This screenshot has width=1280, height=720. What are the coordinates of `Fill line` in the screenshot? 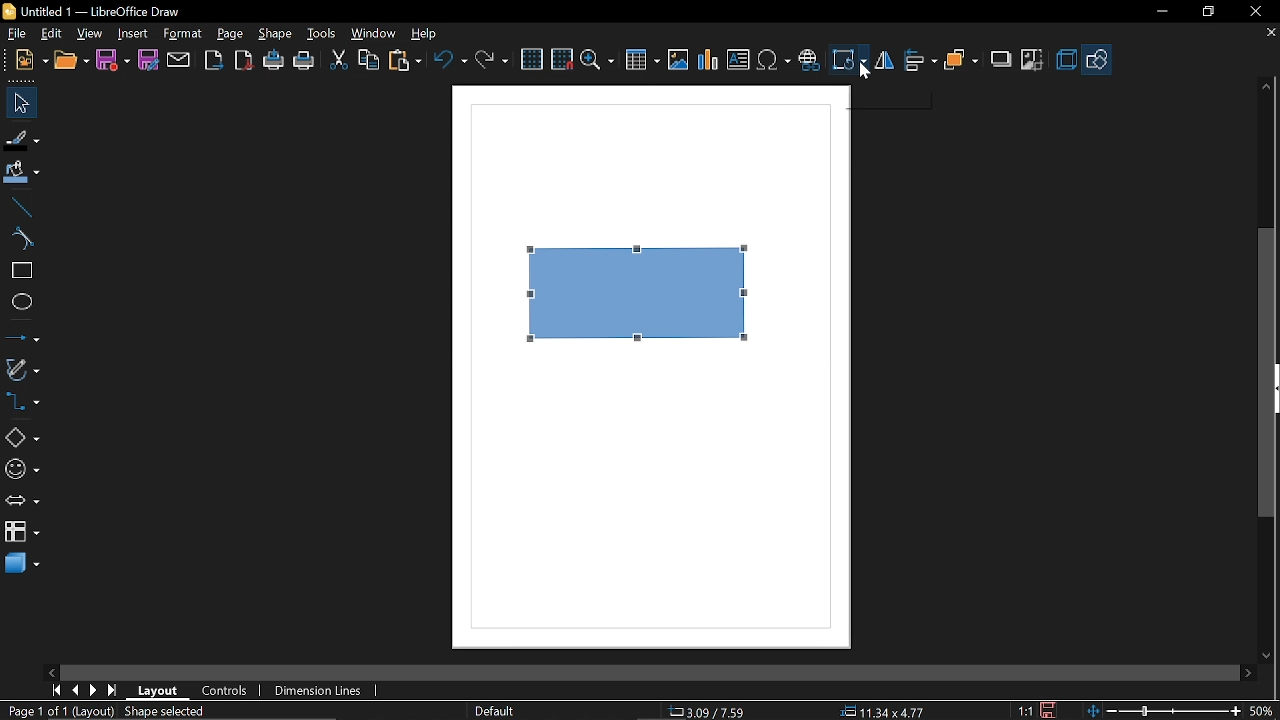 It's located at (21, 140).